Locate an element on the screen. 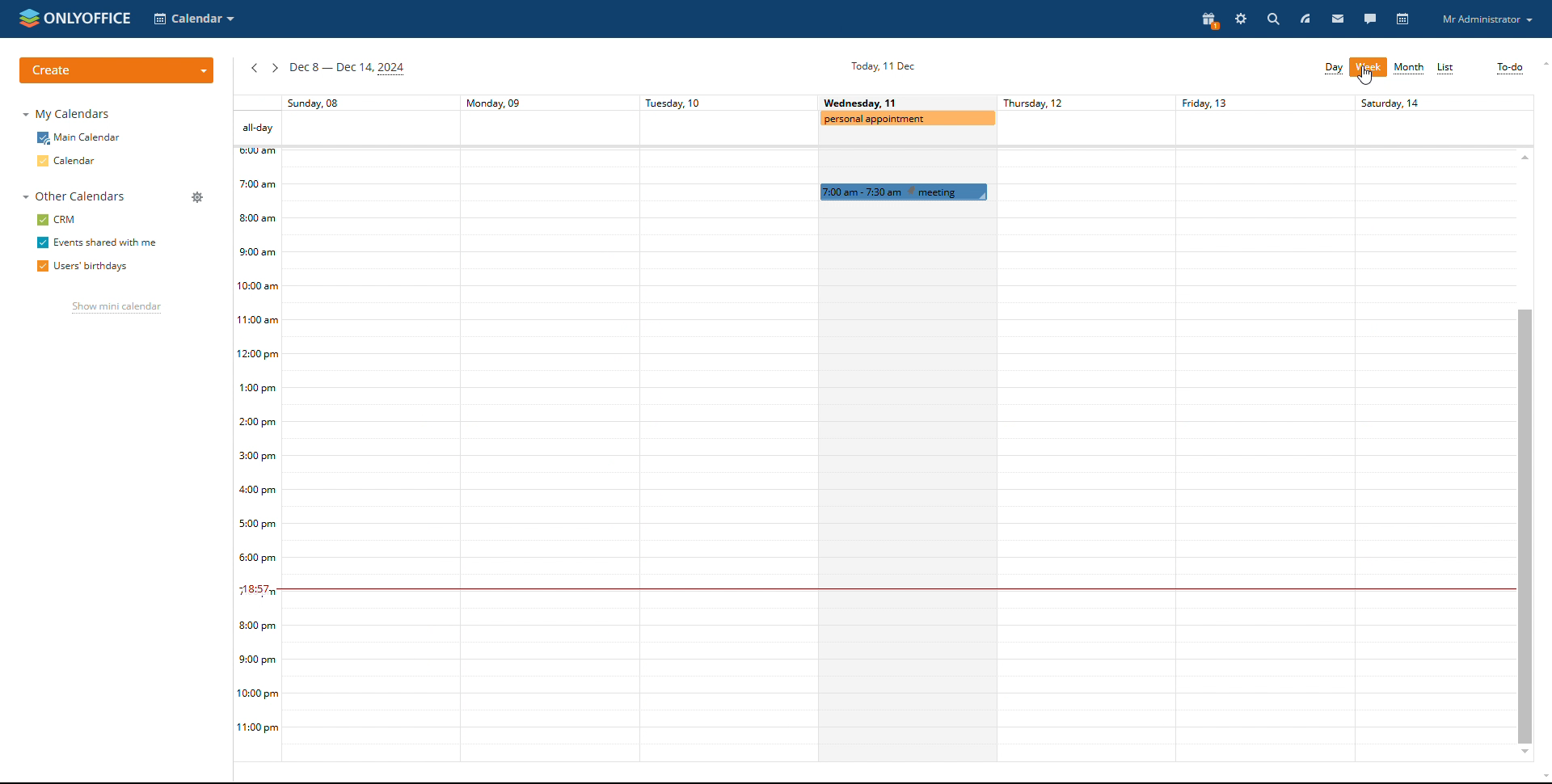  talk is located at coordinates (1371, 18).